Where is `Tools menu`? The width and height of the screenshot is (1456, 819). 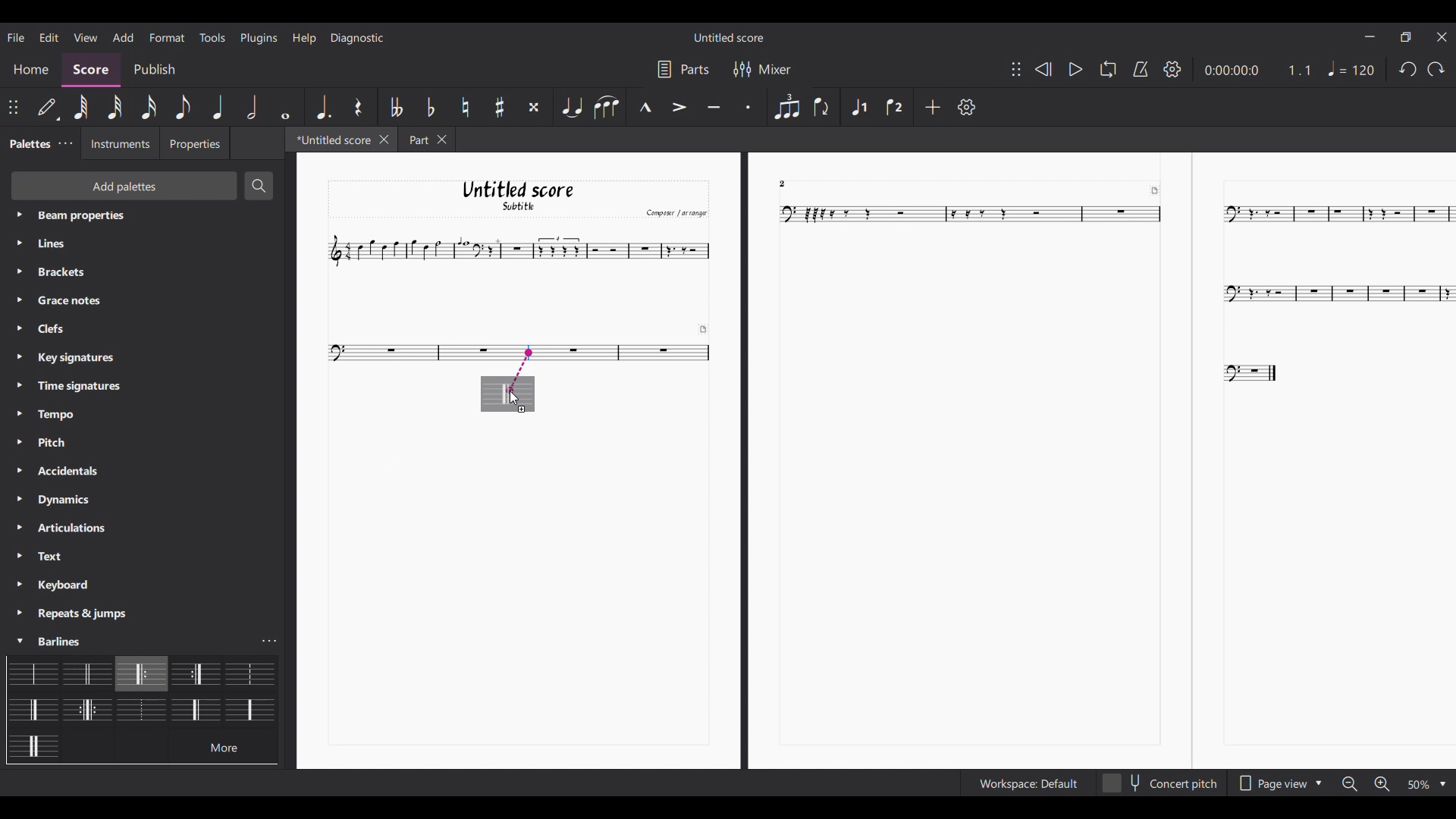
Tools menu is located at coordinates (212, 37).